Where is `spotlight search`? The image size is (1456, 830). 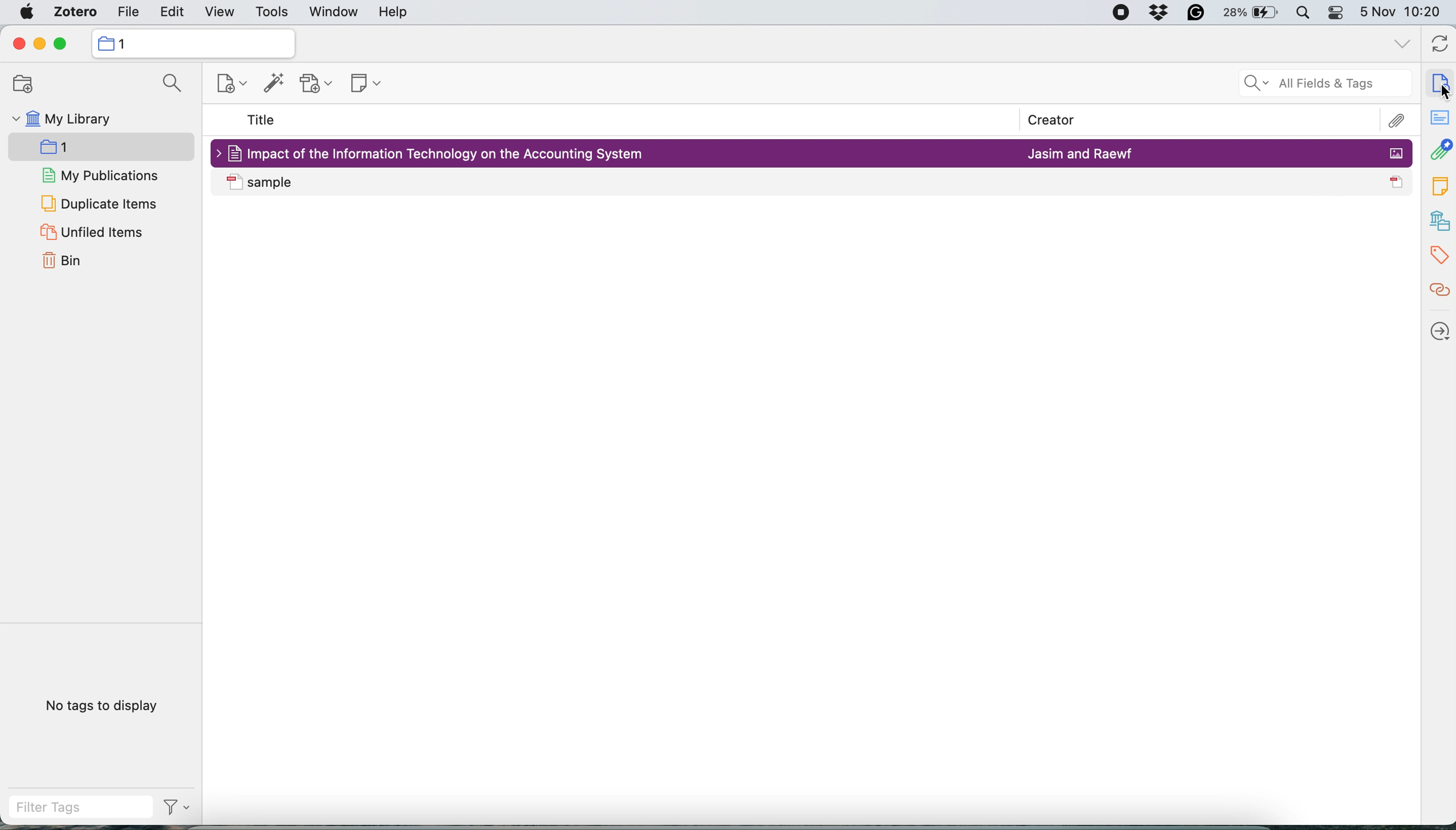
spotlight search is located at coordinates (1306, 14).